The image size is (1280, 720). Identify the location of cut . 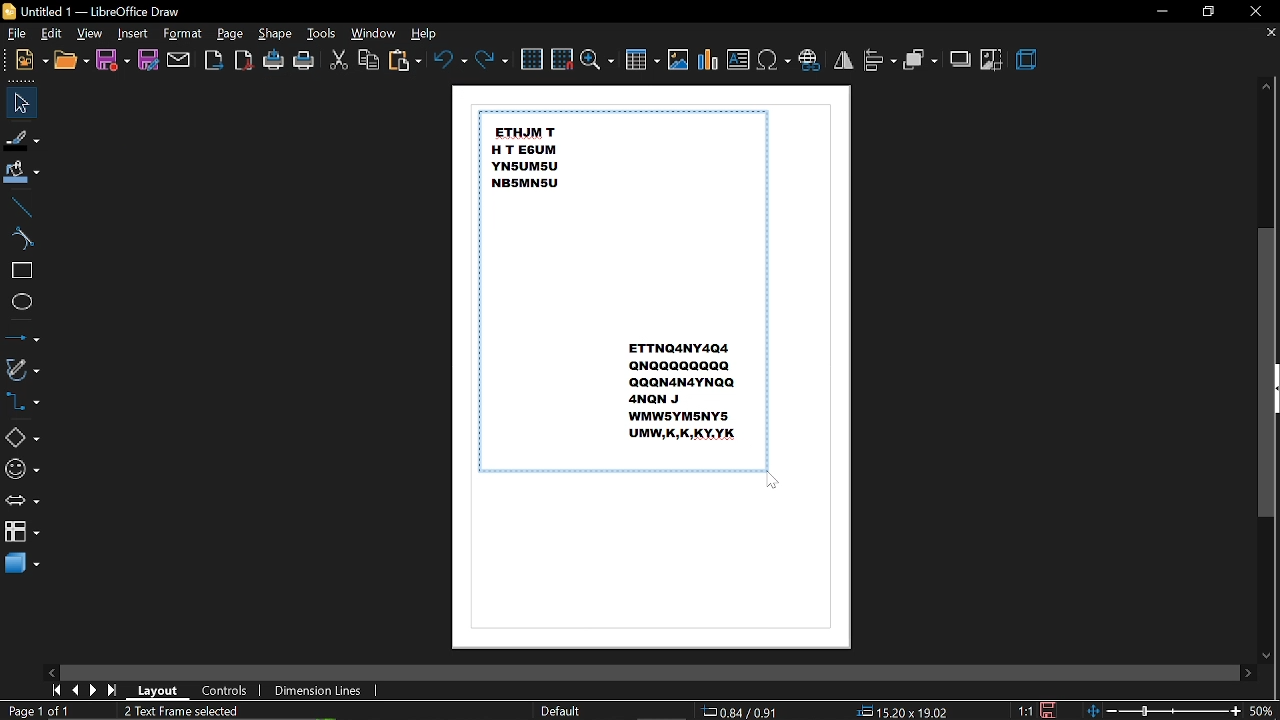
(339, 60).